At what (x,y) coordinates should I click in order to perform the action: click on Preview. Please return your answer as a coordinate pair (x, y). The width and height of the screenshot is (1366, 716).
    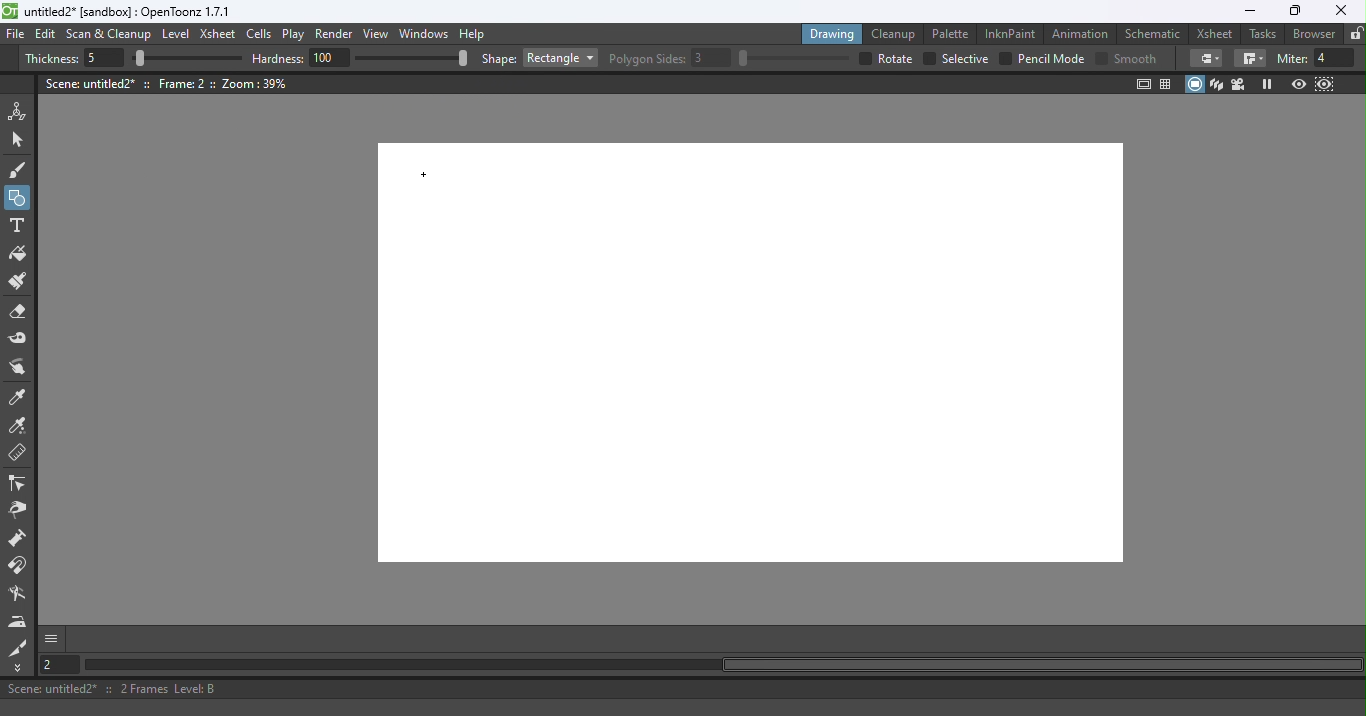
    Looking at the image, I should click on (1298, 85).